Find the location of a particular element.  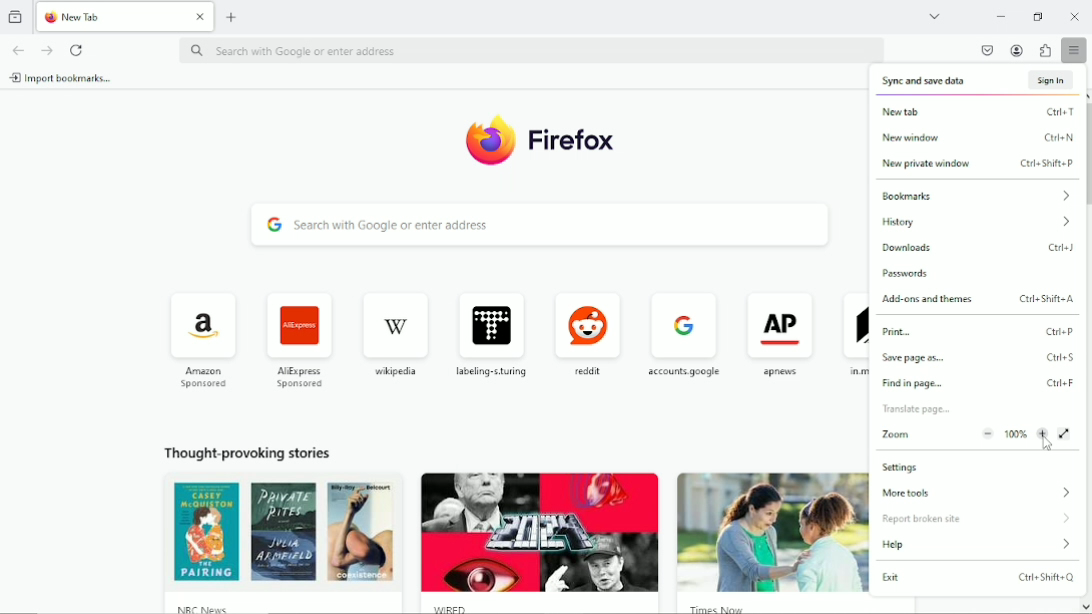

list all tabs is located at coordinates (941, 17).